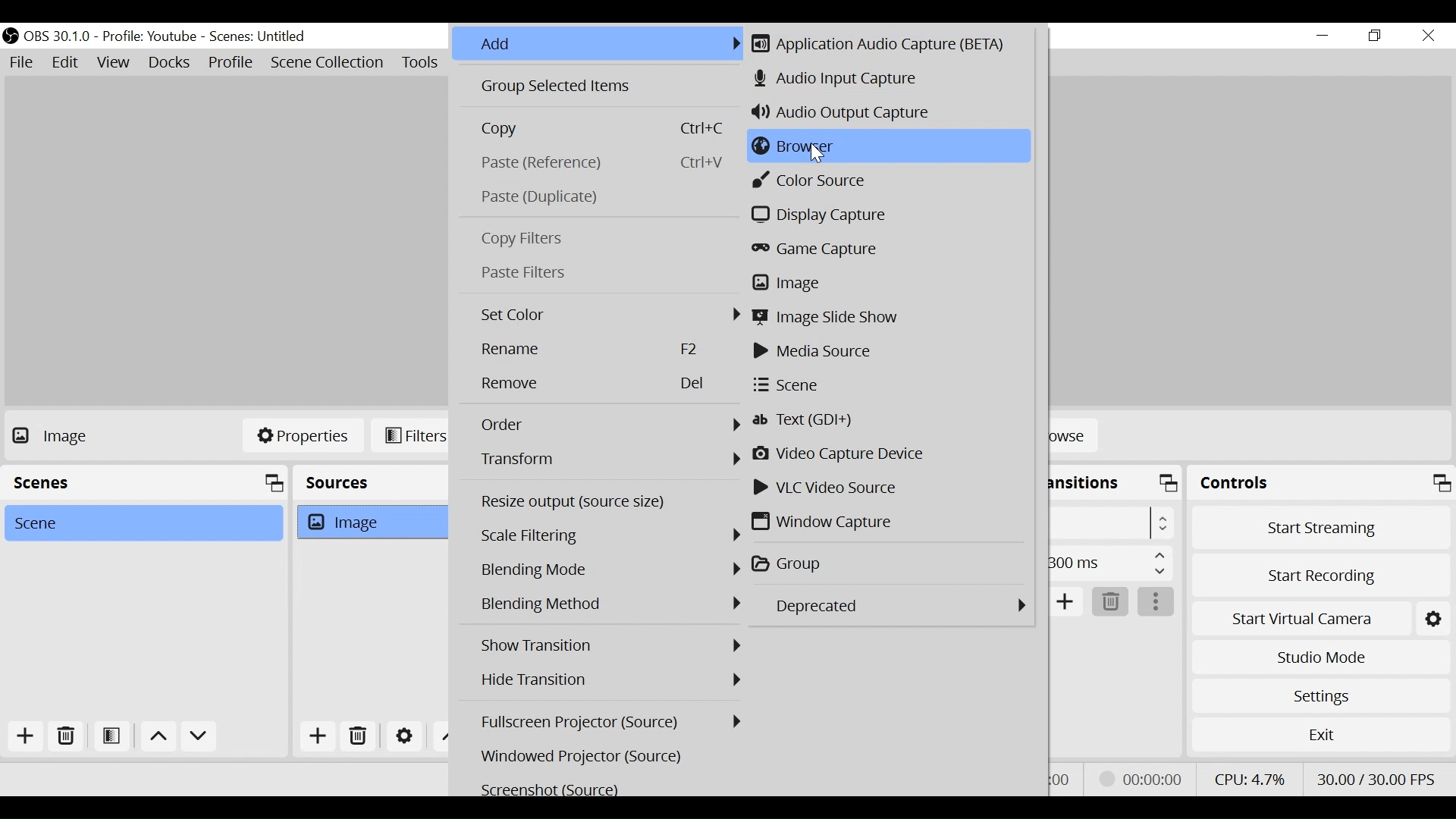  What do you see at coordinates (201, 737) in the screenshot?
I see `Move down` at bounding box center [201, 737].